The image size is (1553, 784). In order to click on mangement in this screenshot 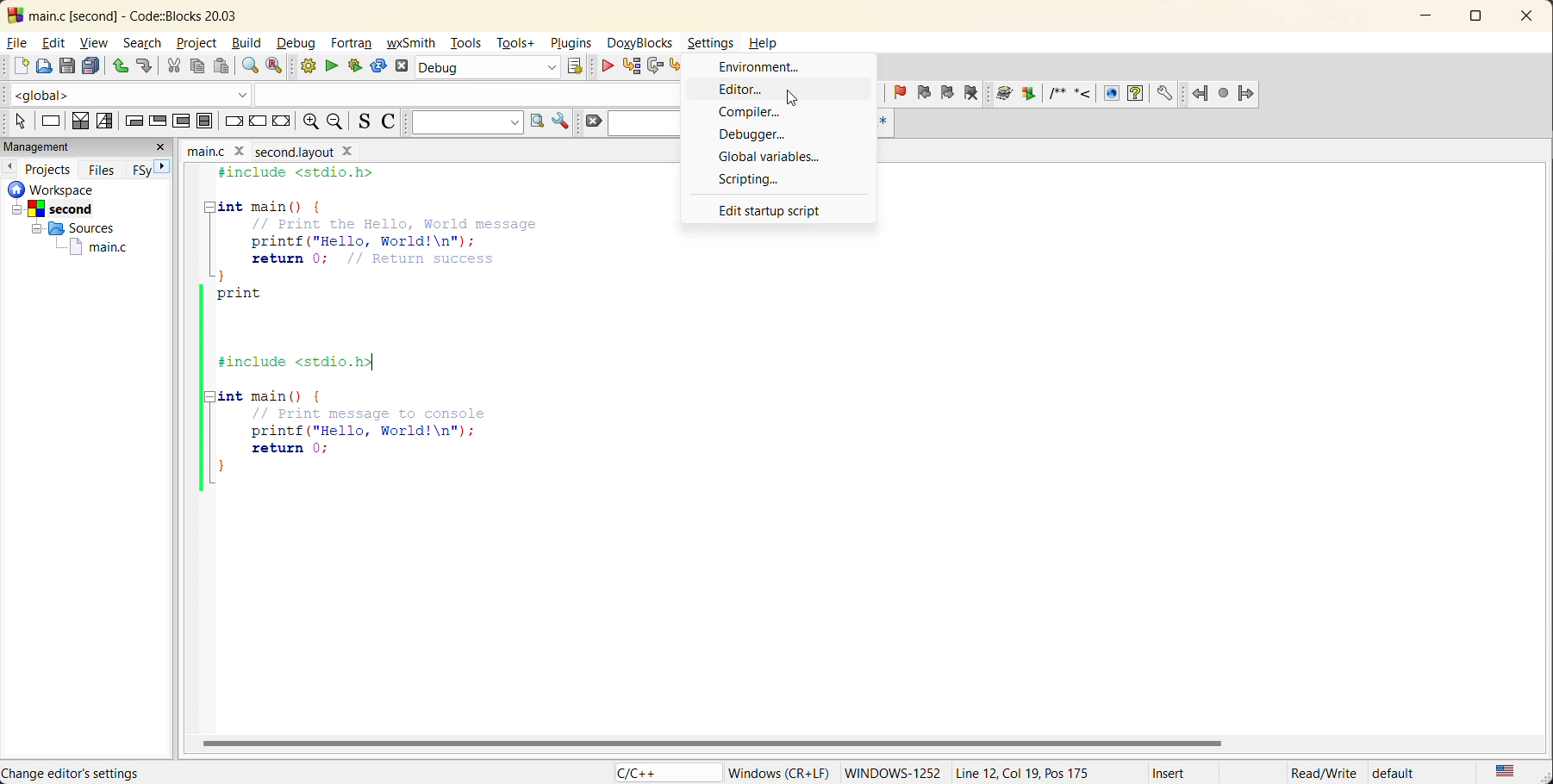, I will do `click(48, 145)`.